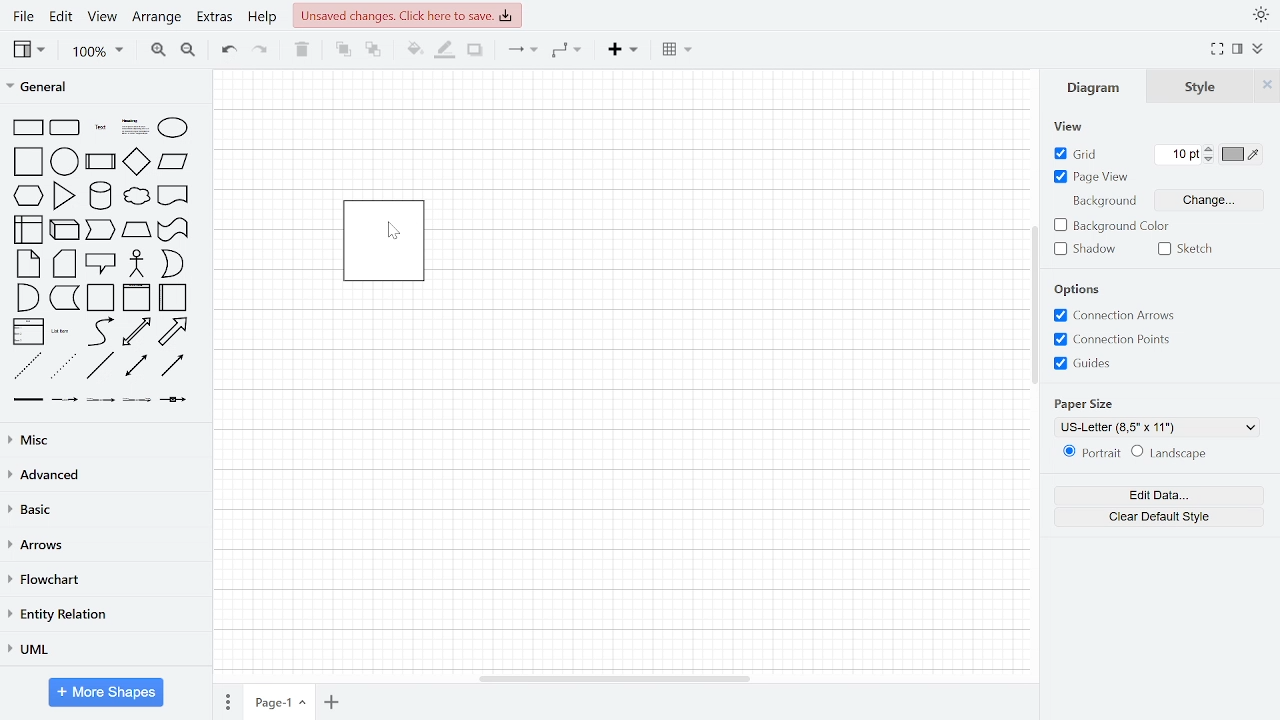  What do you see at coordinates (1083, 363) in the screenshot?
I see `guides` at bounding box center [1083, 363].